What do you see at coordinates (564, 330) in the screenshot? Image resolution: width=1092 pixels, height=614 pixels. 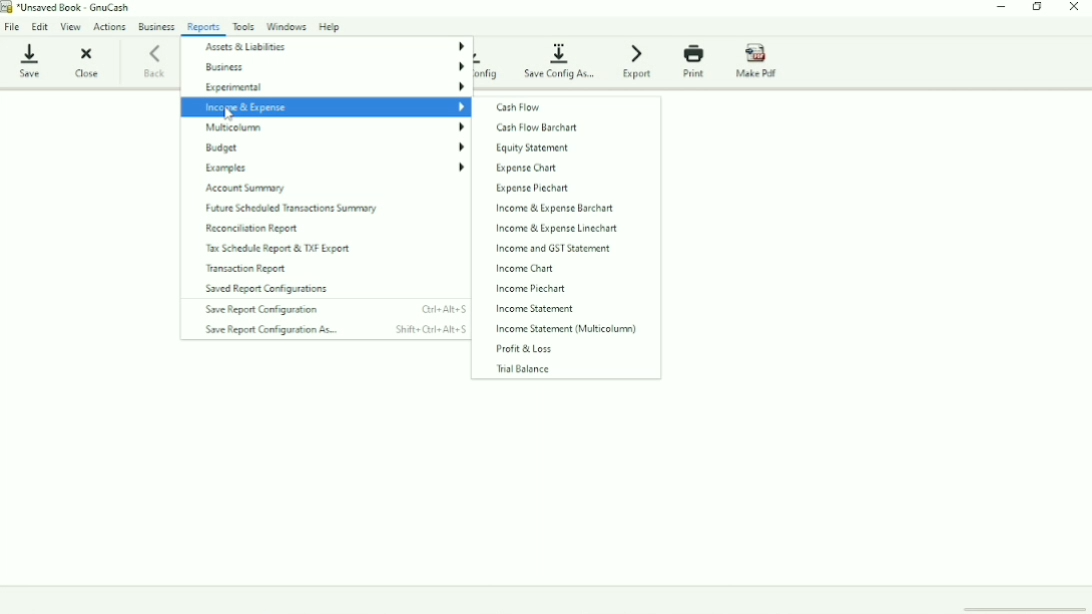 I see `Income Statement (Multicolumn)` at bounding box center [564, 330].